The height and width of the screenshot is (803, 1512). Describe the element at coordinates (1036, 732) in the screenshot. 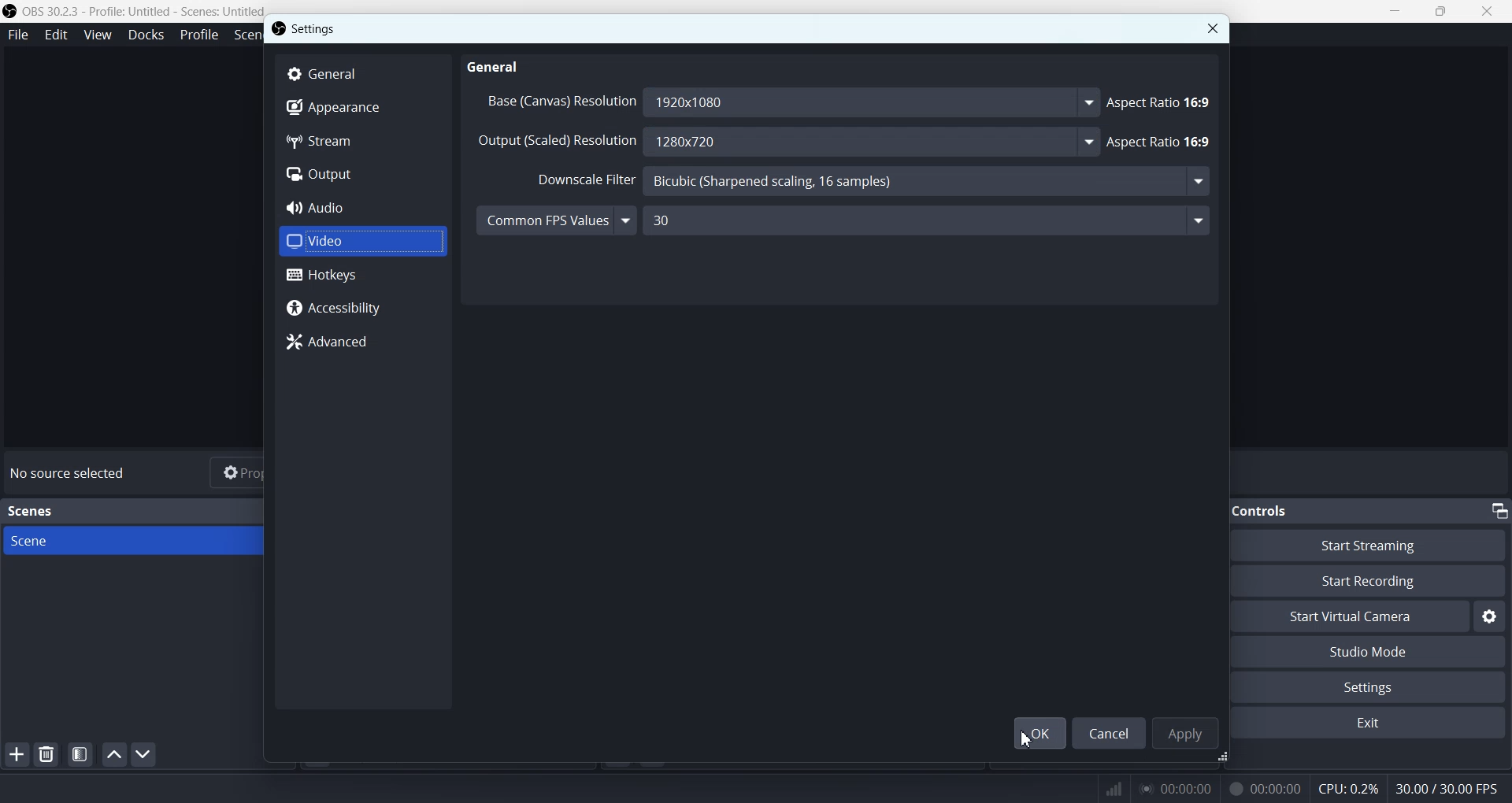

I see `OK` at that location.